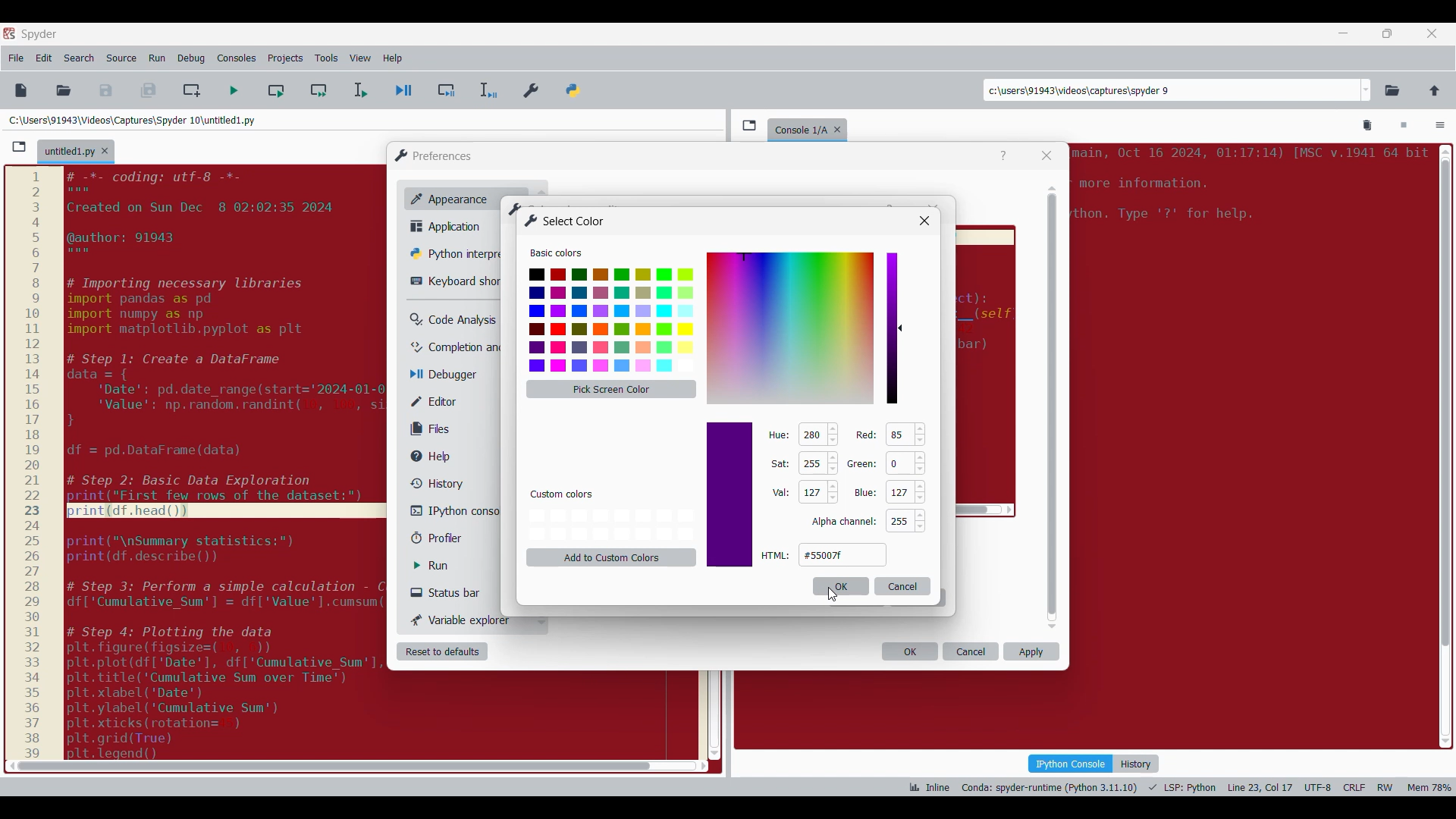 Image resolution: width=1456 pixels, height=819 pixels. I want to click on Run file, so click(234, 90).